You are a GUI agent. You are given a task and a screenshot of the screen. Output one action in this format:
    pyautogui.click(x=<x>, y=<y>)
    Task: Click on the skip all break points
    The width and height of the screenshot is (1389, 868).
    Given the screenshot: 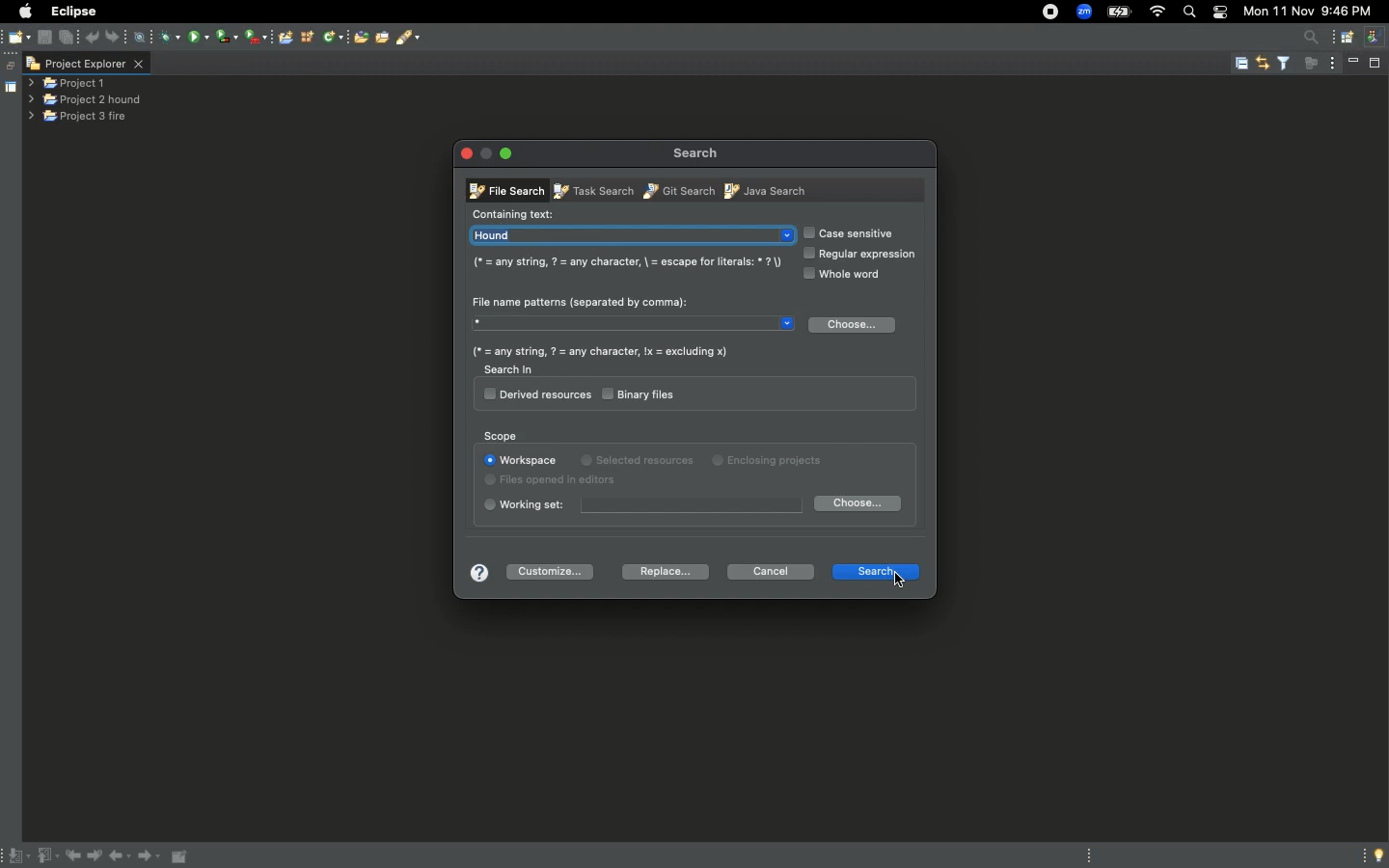 What is the action you would take?
    pyautogui.click(x=143, y=35)
    